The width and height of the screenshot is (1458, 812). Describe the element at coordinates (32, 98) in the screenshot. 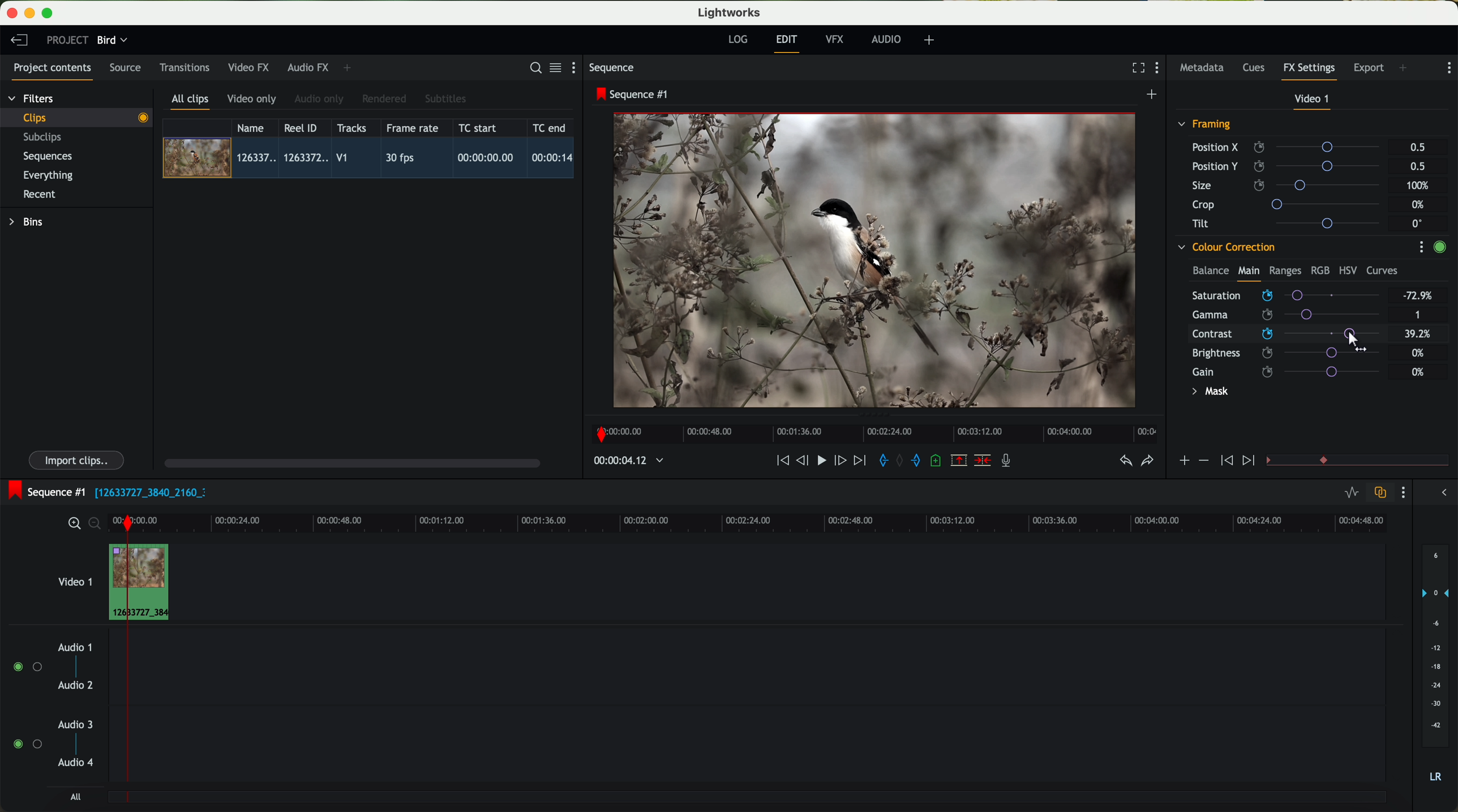

I see `filters` at that location.